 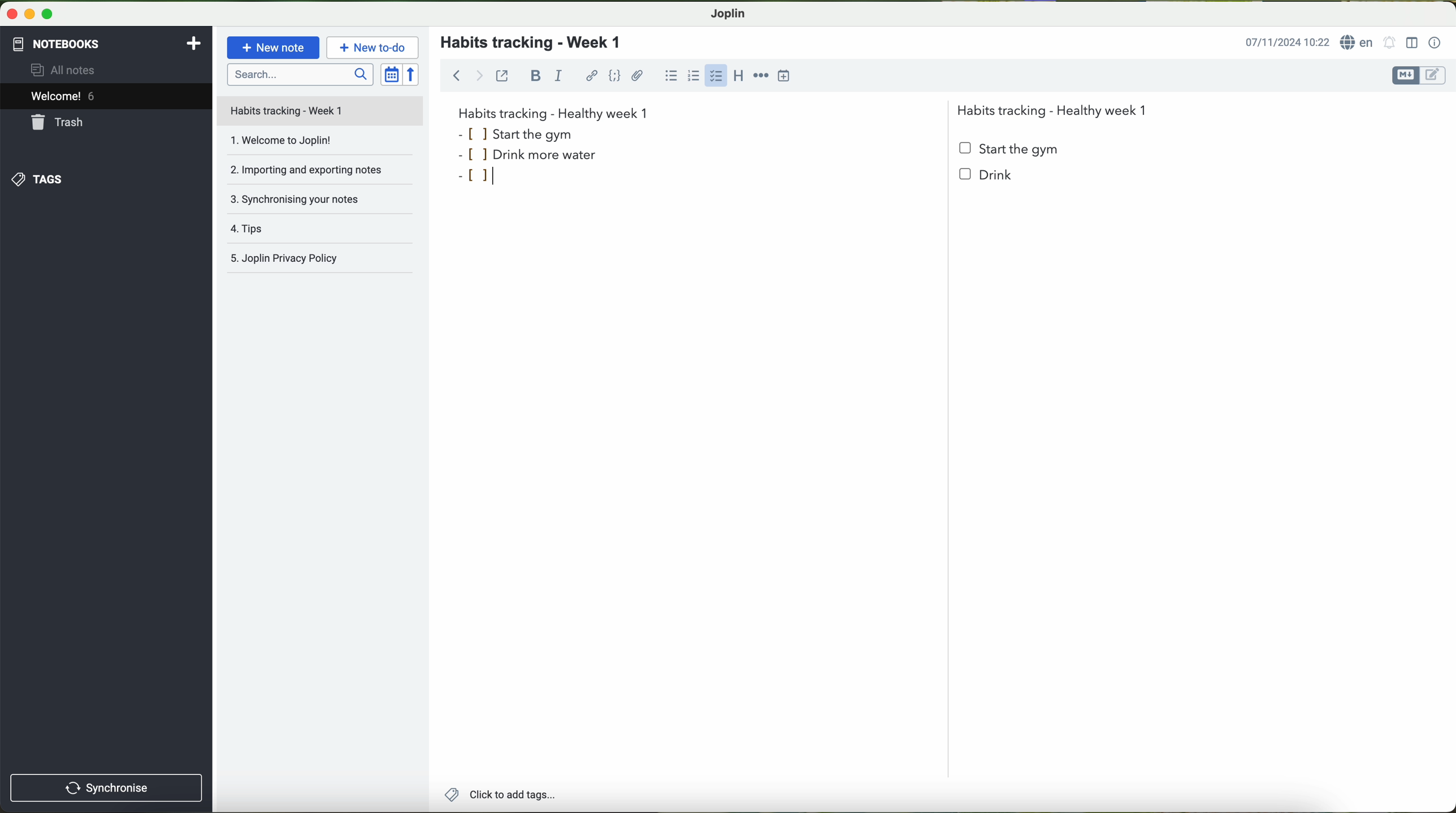 I want to click on file title, so click(x=320, y=111).